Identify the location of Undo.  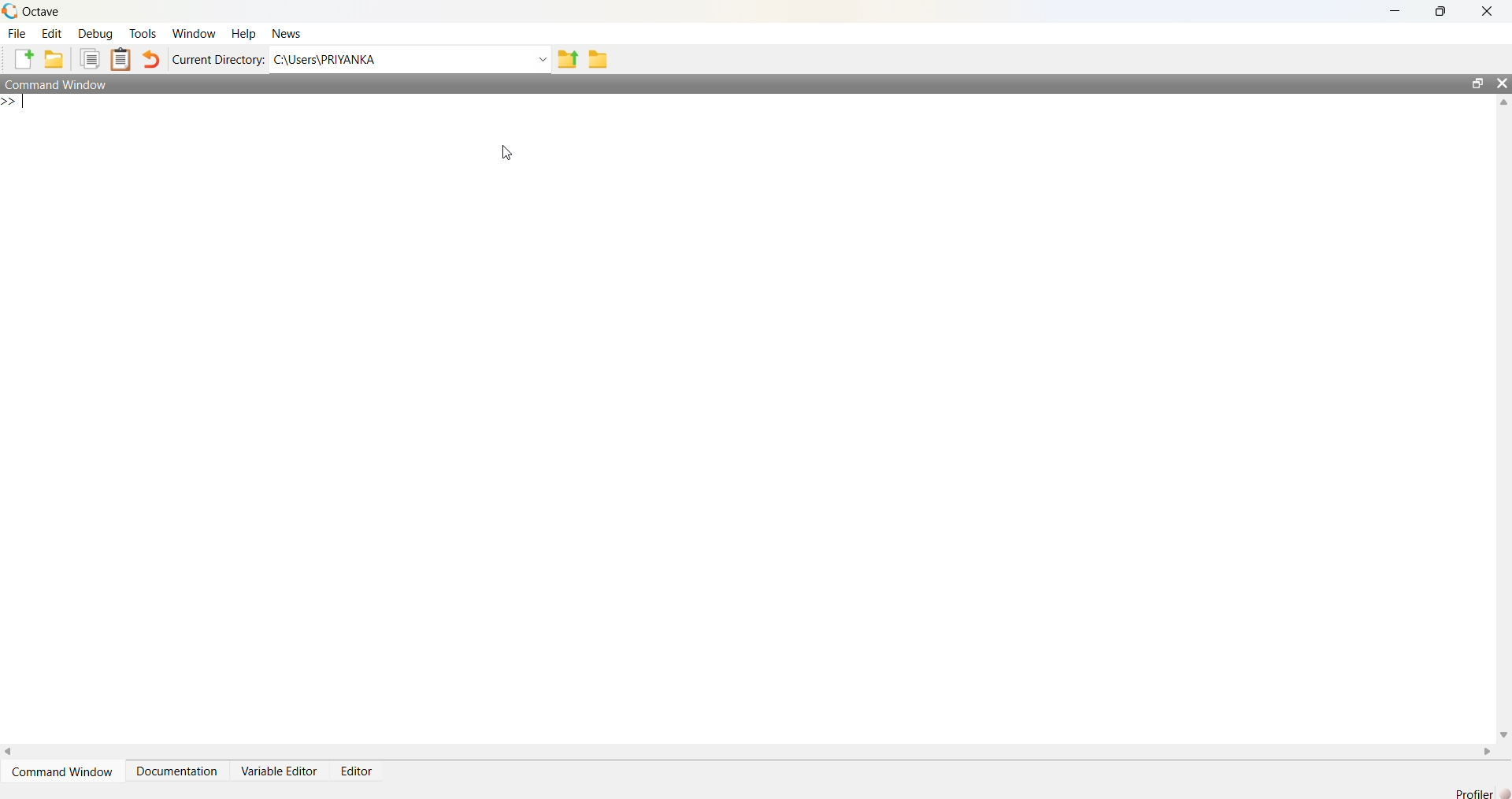
(152, 58).